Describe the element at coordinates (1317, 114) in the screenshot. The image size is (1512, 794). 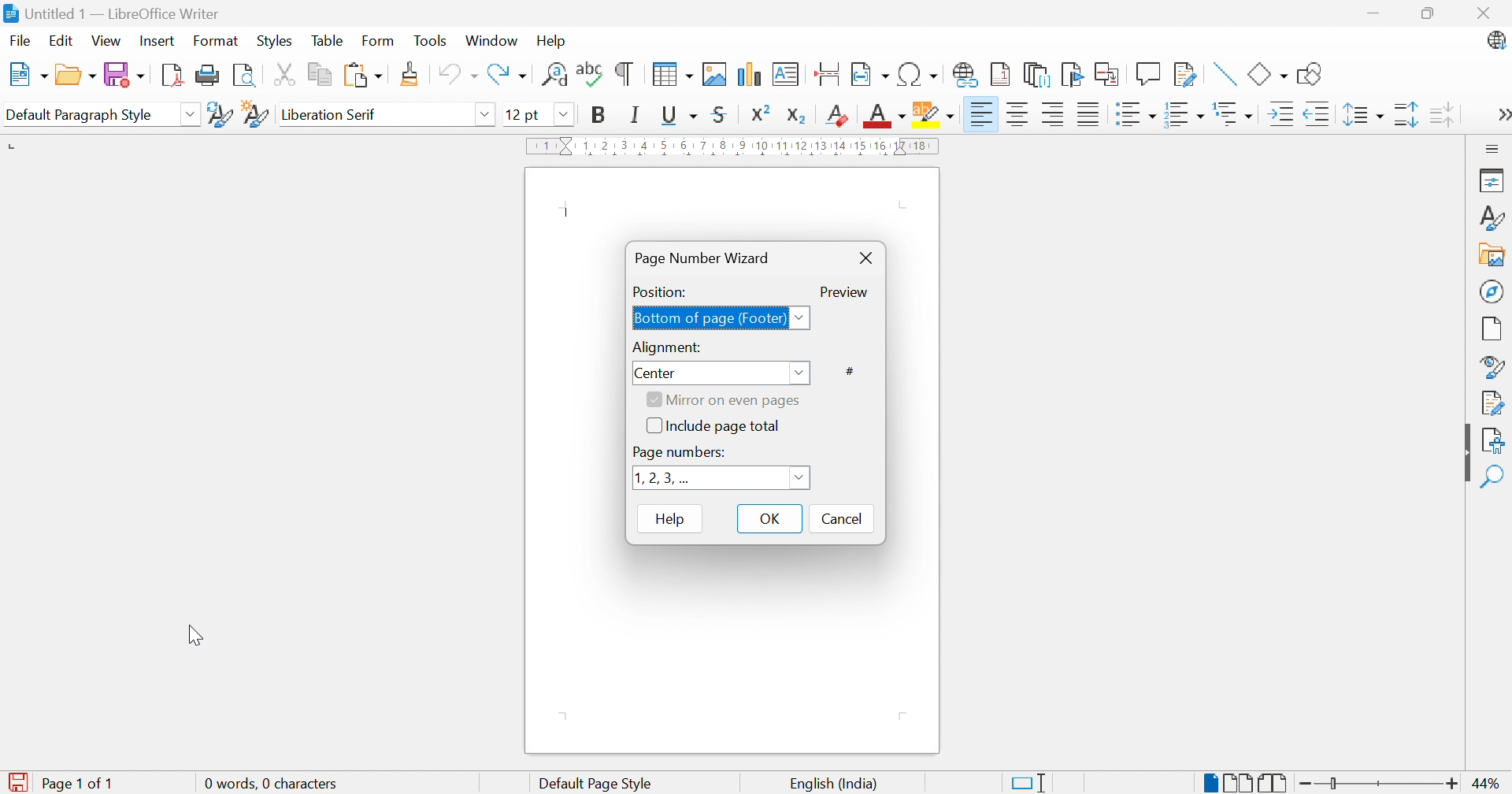
I see `Decrease indent` at that location.